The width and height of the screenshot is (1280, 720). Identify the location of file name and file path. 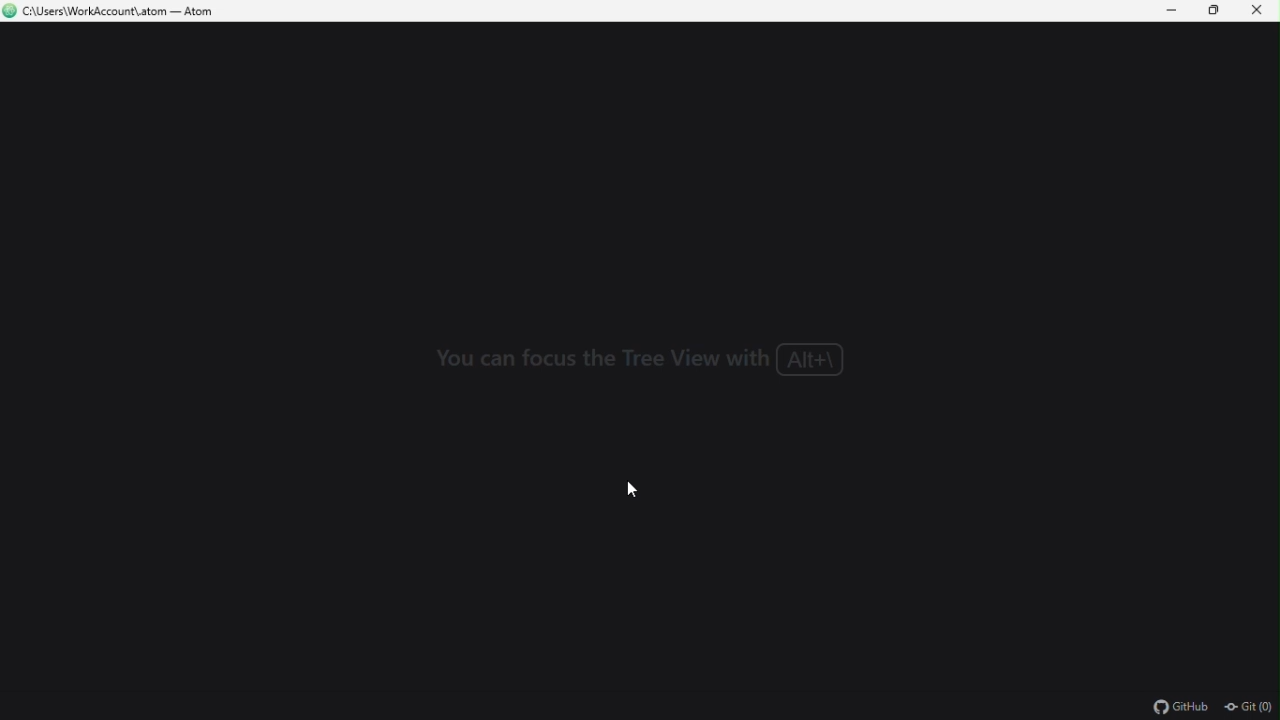
(110, 12).